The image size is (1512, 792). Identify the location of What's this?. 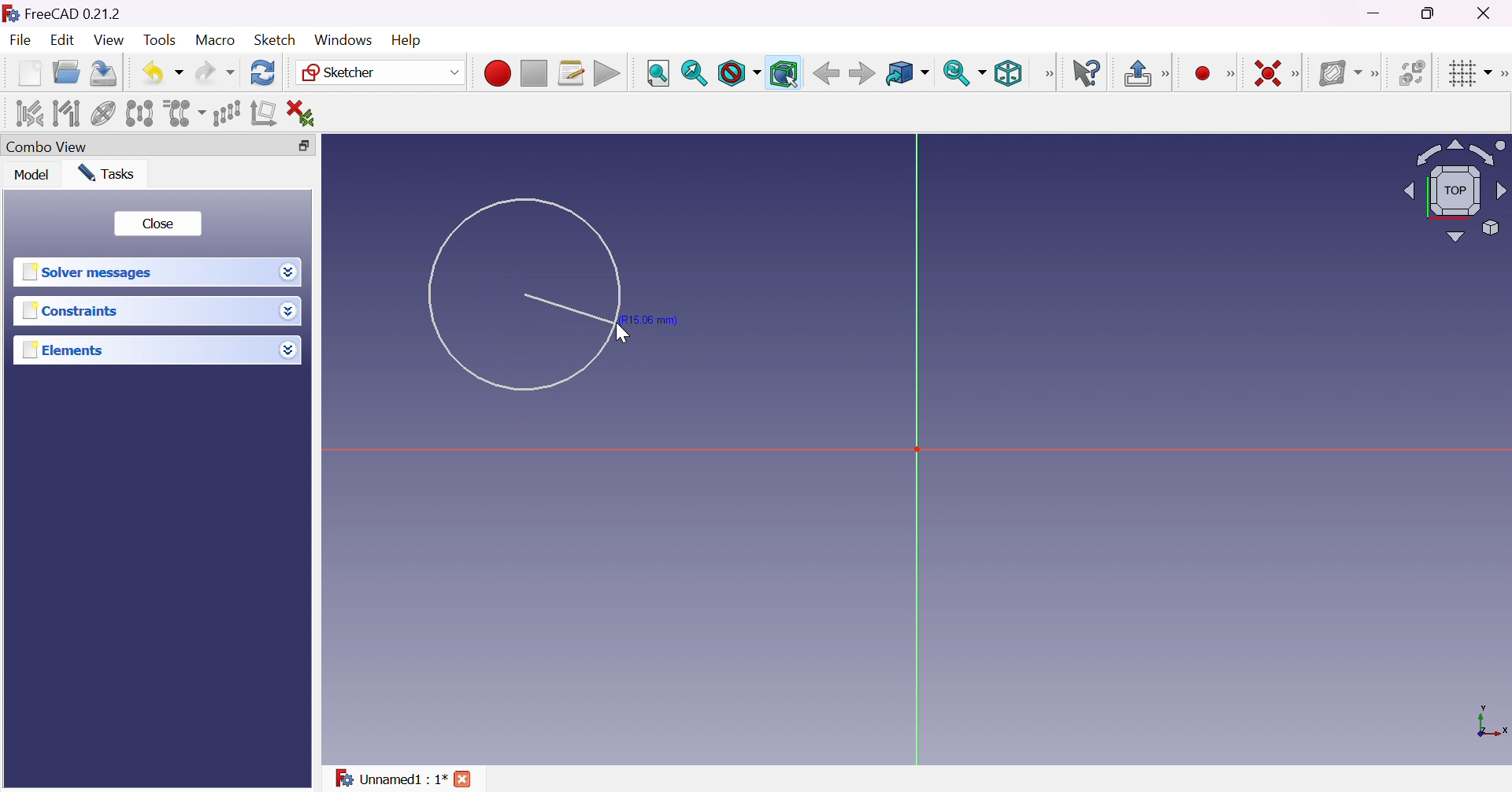
(1088, 73).